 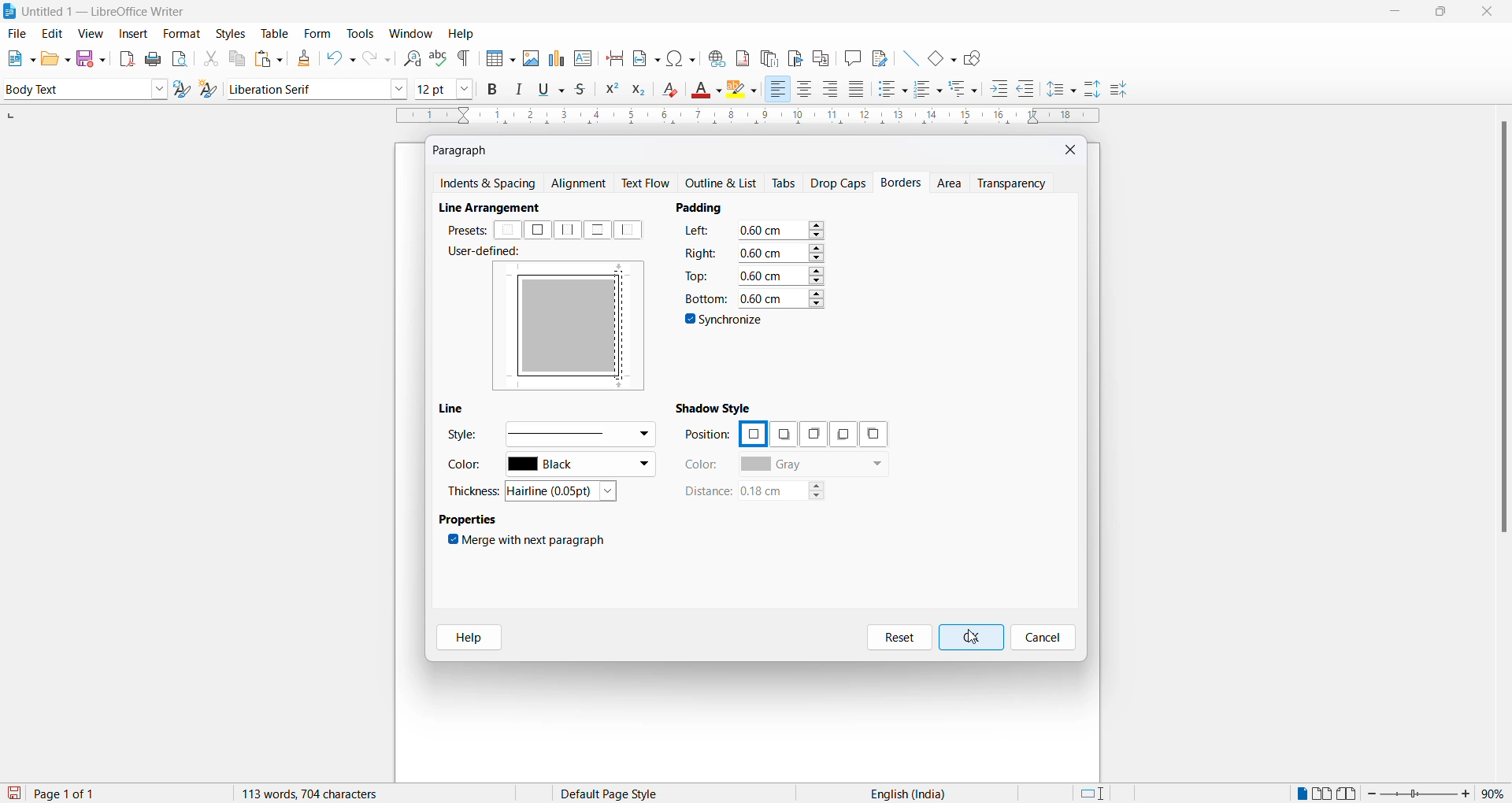 What do you see at coordinates (376, 58) in the screenshot?
I see `redo` at bounding box center [376, 58].